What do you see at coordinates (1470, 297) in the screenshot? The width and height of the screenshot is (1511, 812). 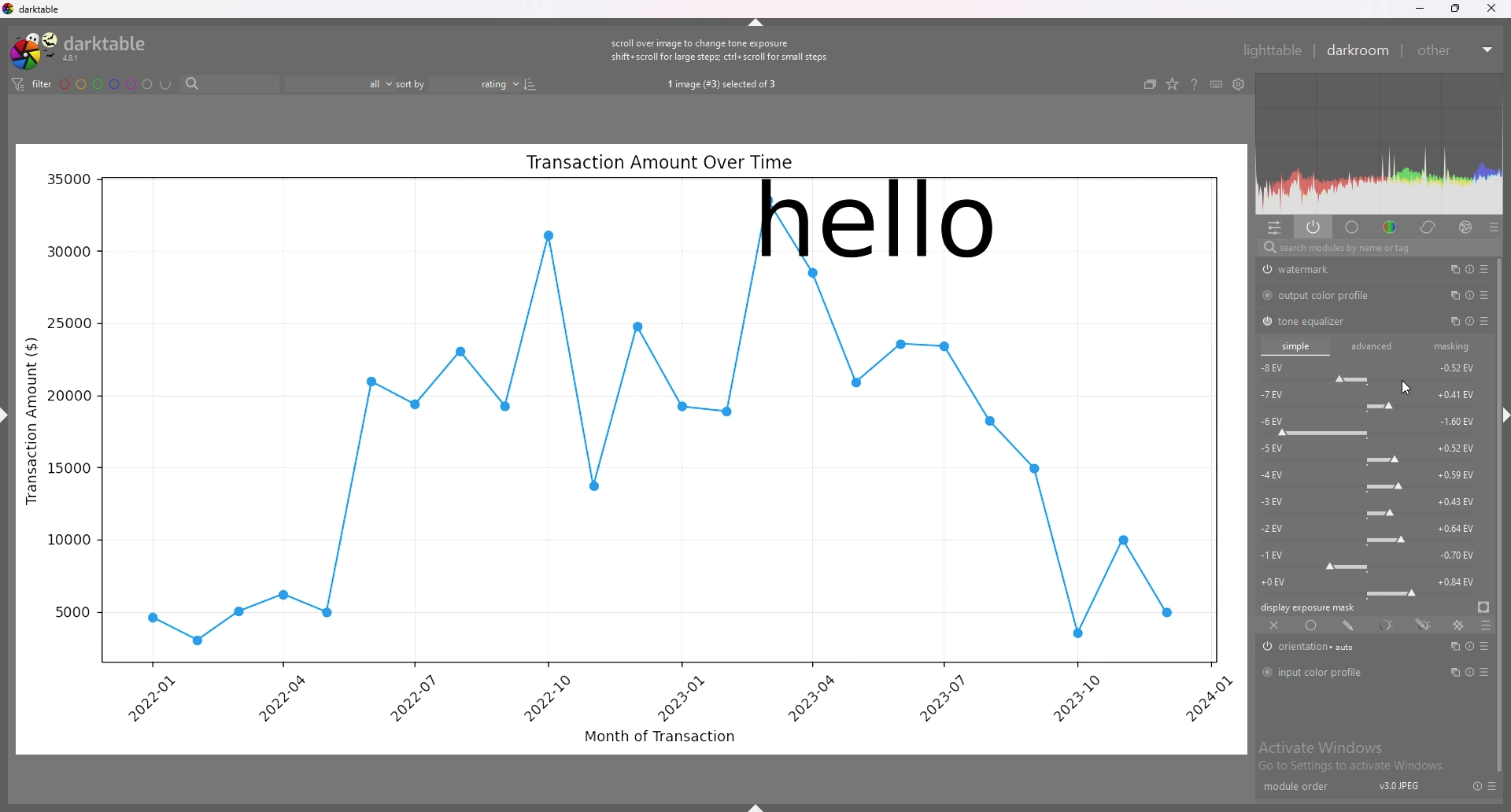 I see `multiple instance actions, reset and presets` at bounding box center [1470, 297].